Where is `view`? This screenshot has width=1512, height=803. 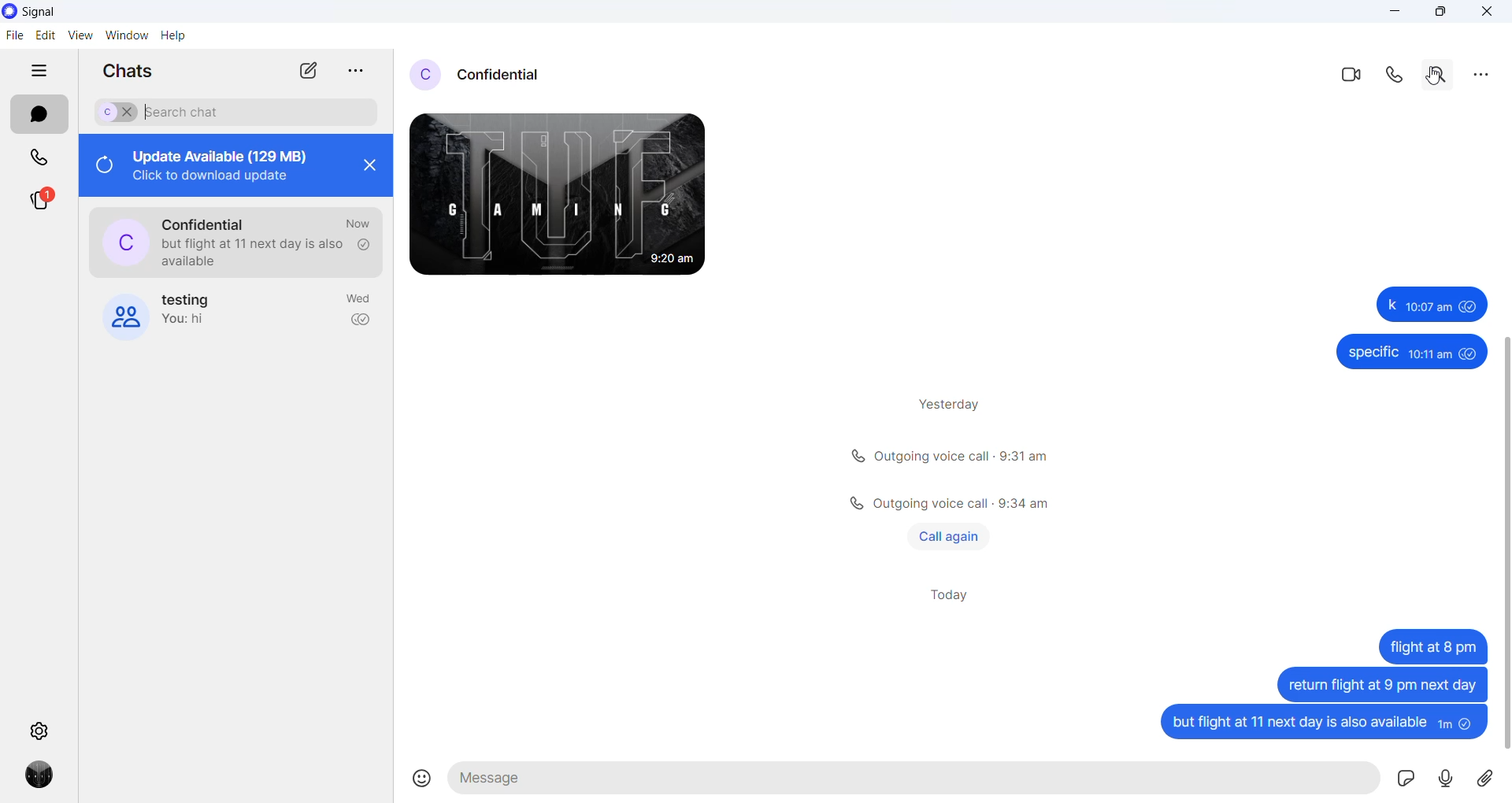 view is located at coordinates (80, 35).